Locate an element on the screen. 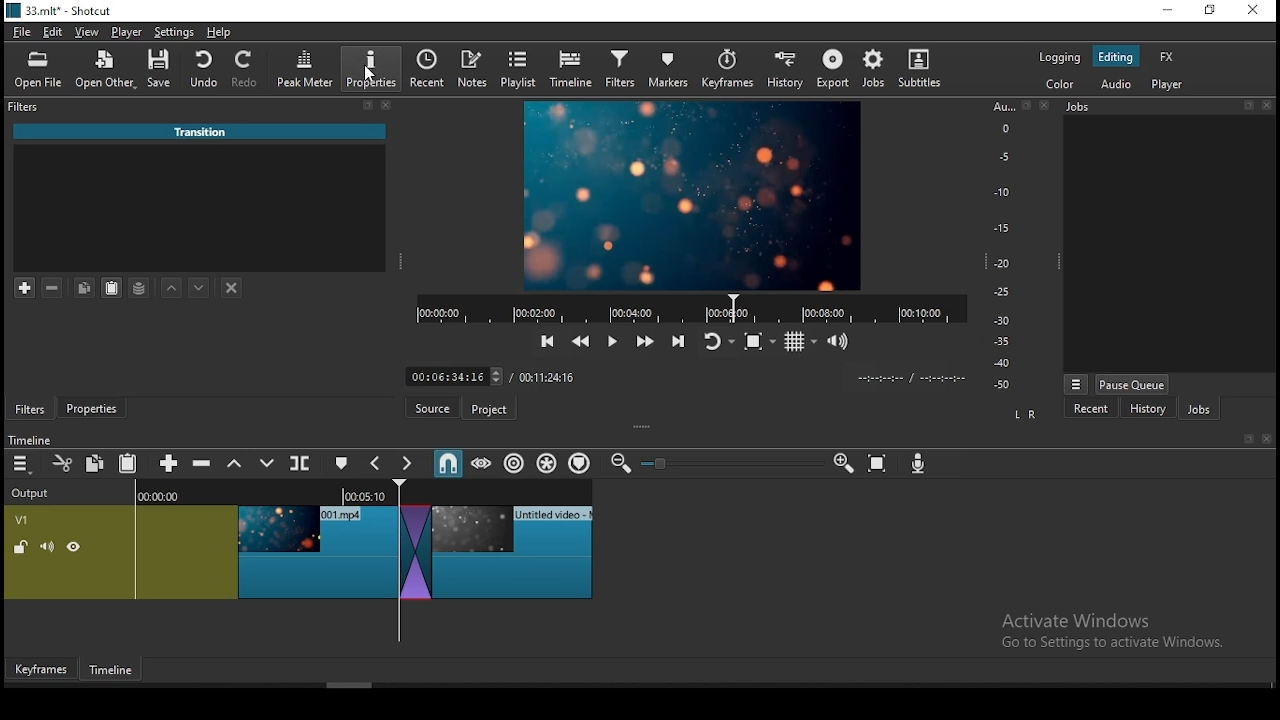  color is located at coordinates (1061, 85).